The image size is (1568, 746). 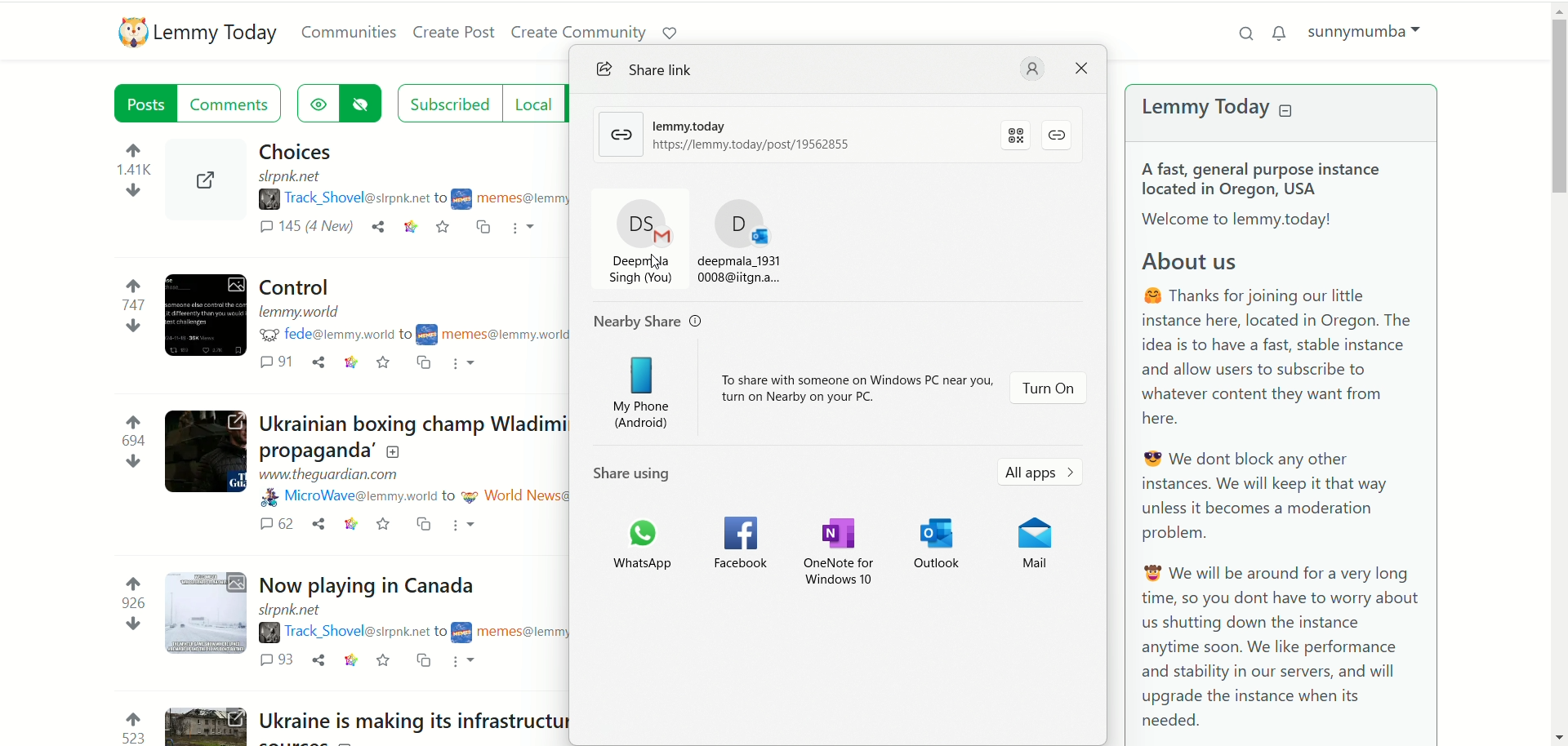 What do you see at coordinates (835, 549) in the screenshot?
I see `onenote for Windows 10` at bounding box center [835, 549].